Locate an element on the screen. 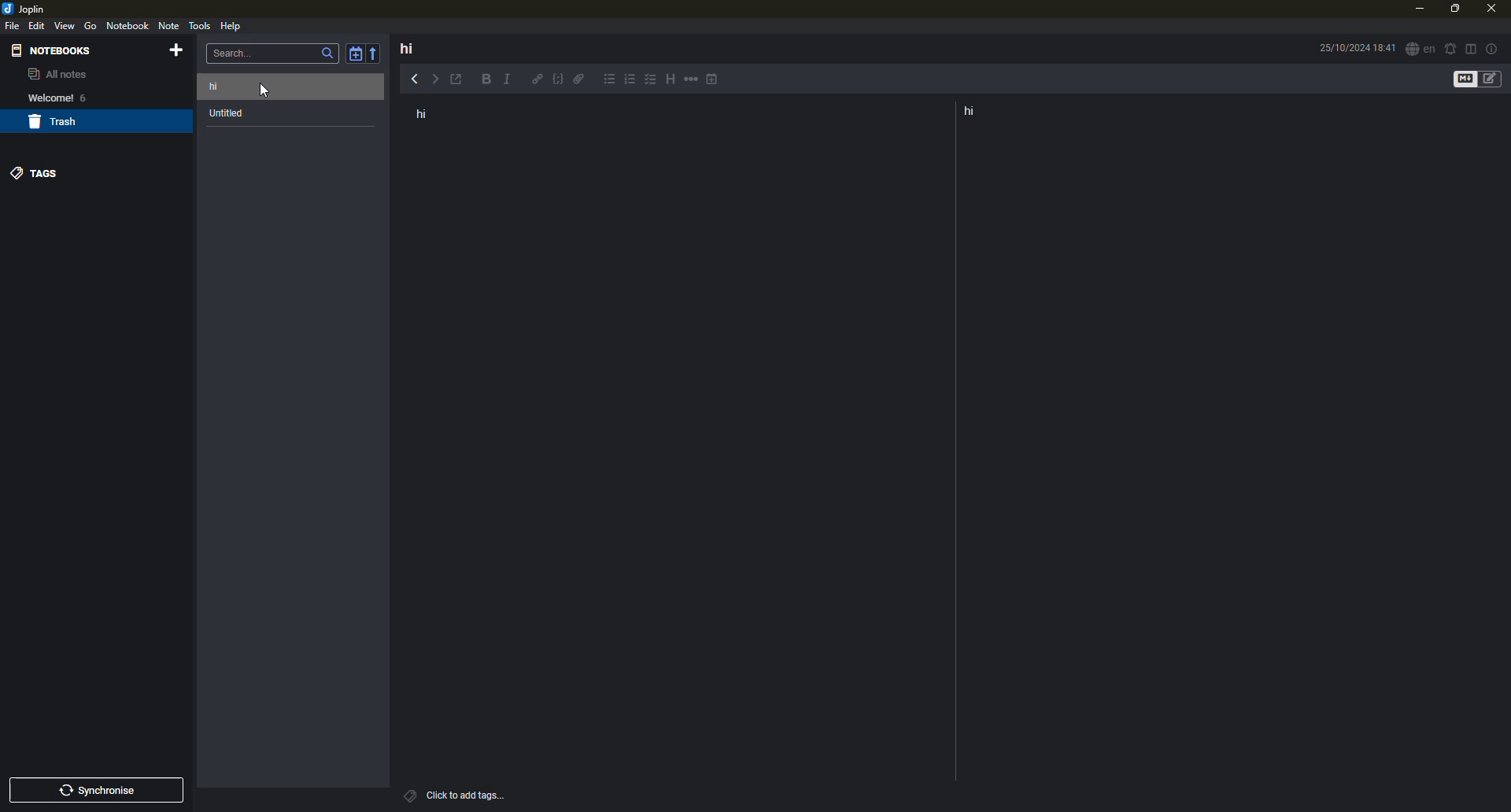  spell checker is located at coordinates (1419, 50).